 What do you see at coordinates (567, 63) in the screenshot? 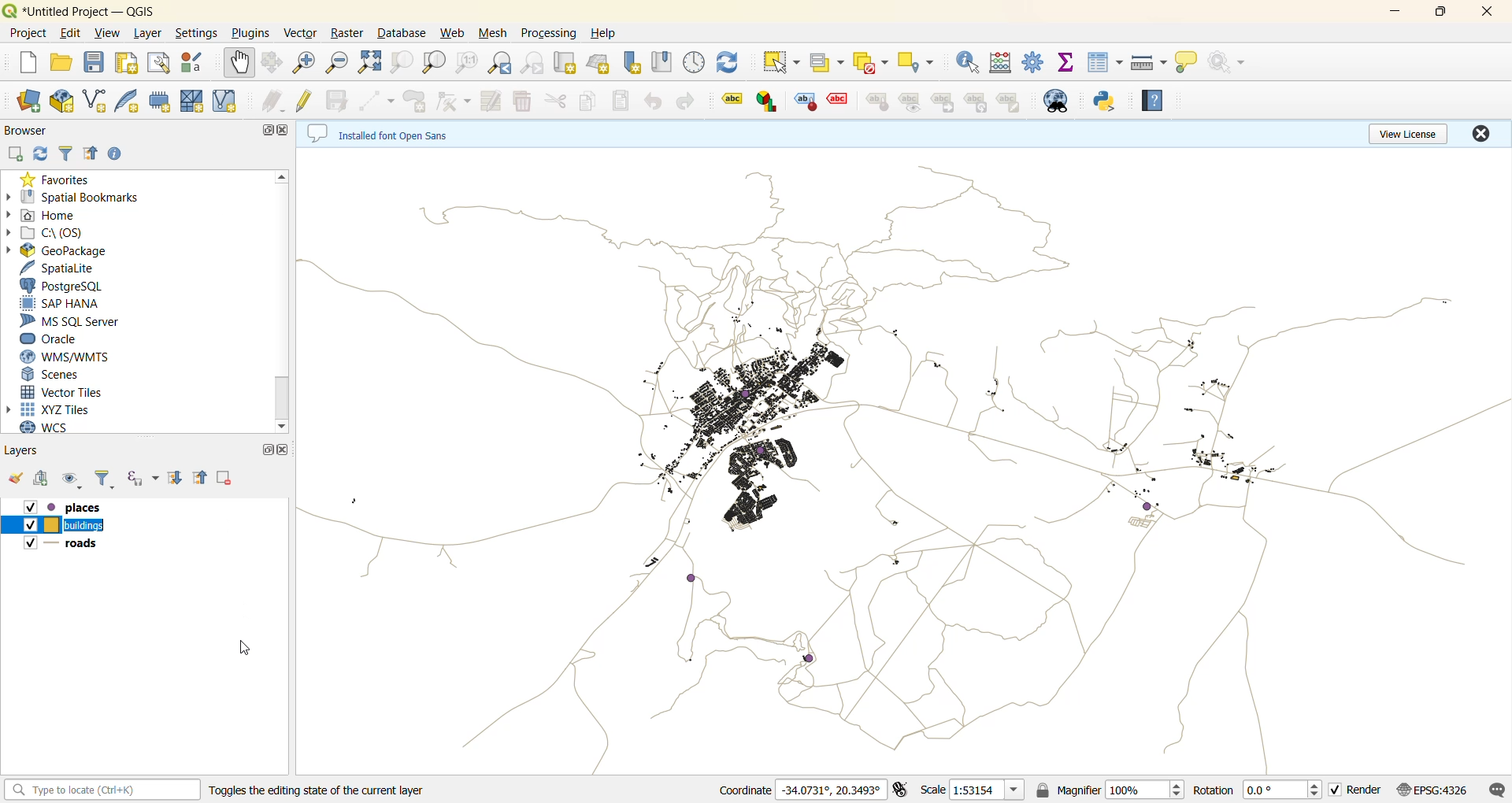
I see `new map view` at bounding box center [567, 63].